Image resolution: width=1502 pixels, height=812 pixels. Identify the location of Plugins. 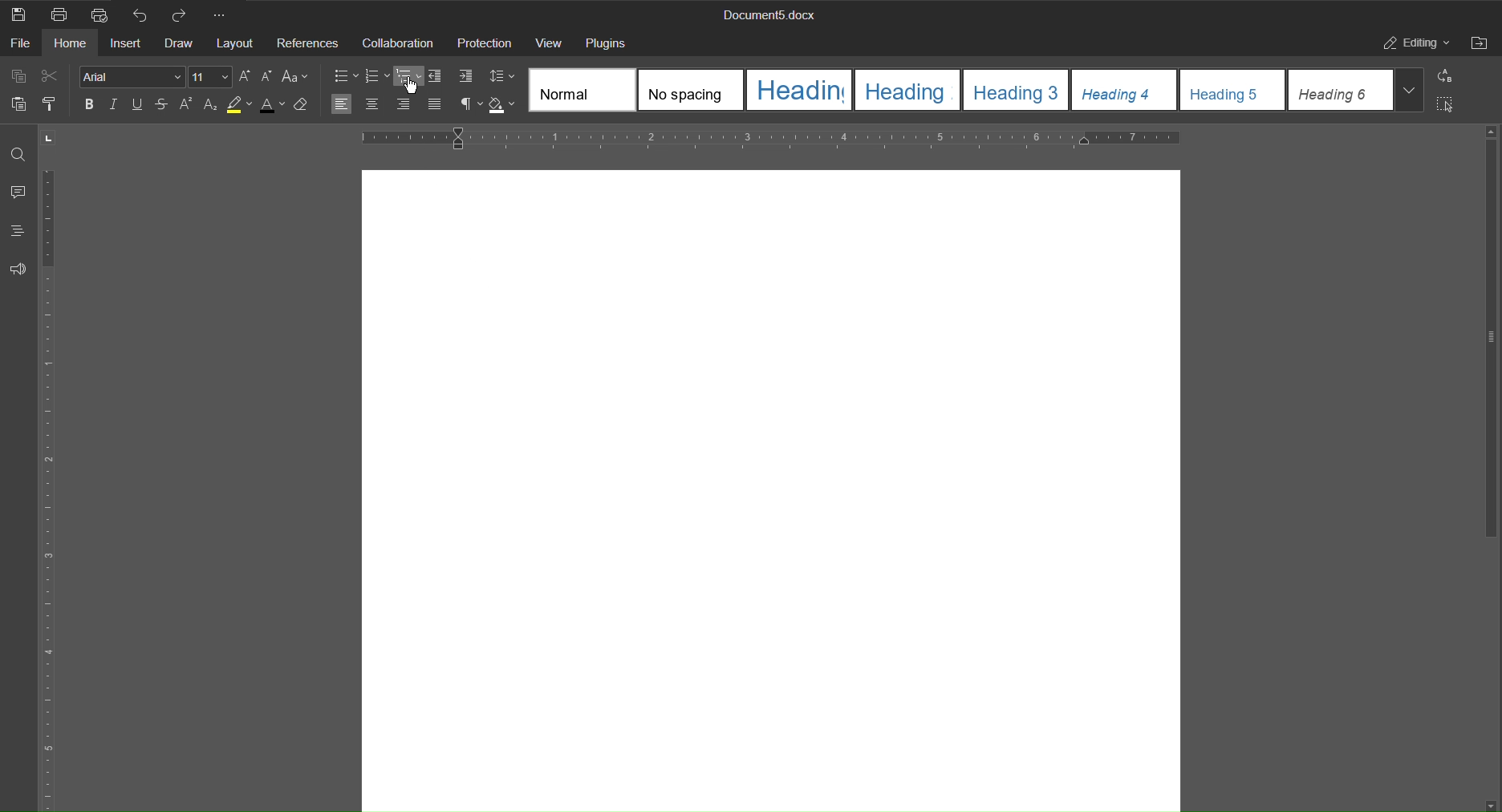
(611, 44).